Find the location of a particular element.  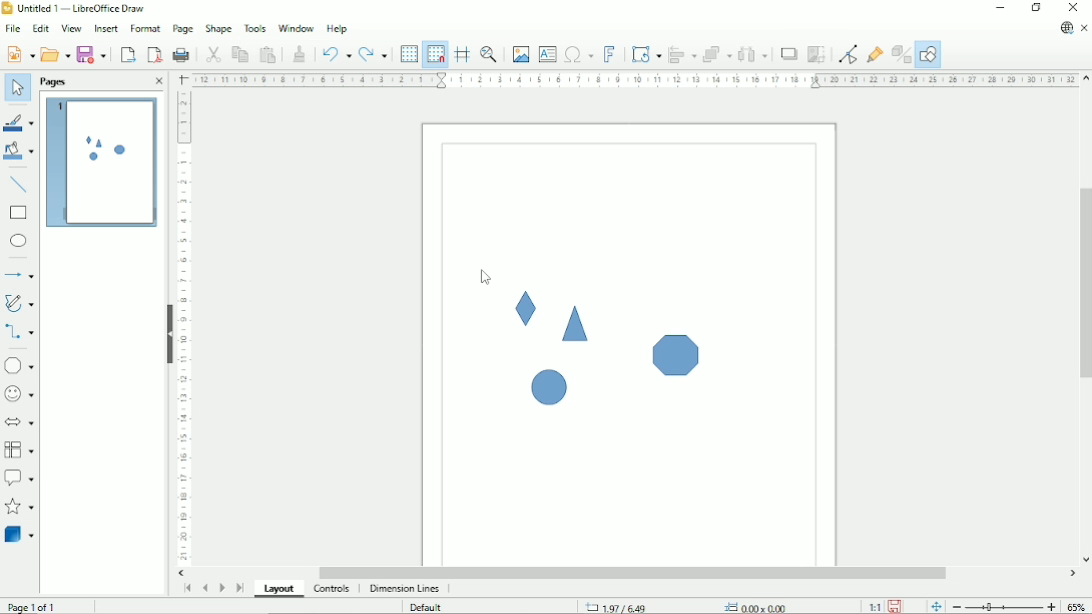

Scroll to first page is located at coordinates (187, 588).